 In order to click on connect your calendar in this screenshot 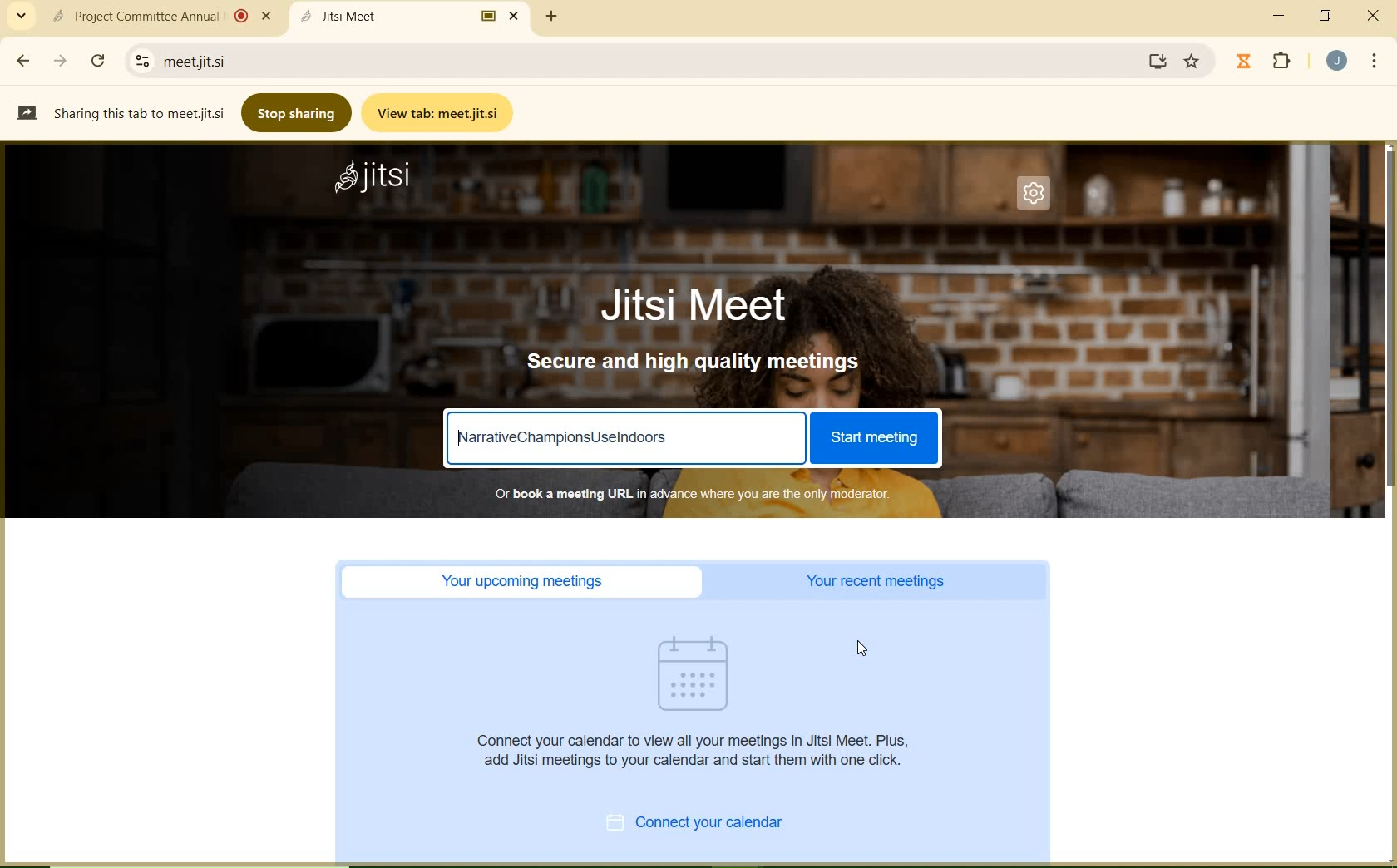, I will do `click(698, 822)`.